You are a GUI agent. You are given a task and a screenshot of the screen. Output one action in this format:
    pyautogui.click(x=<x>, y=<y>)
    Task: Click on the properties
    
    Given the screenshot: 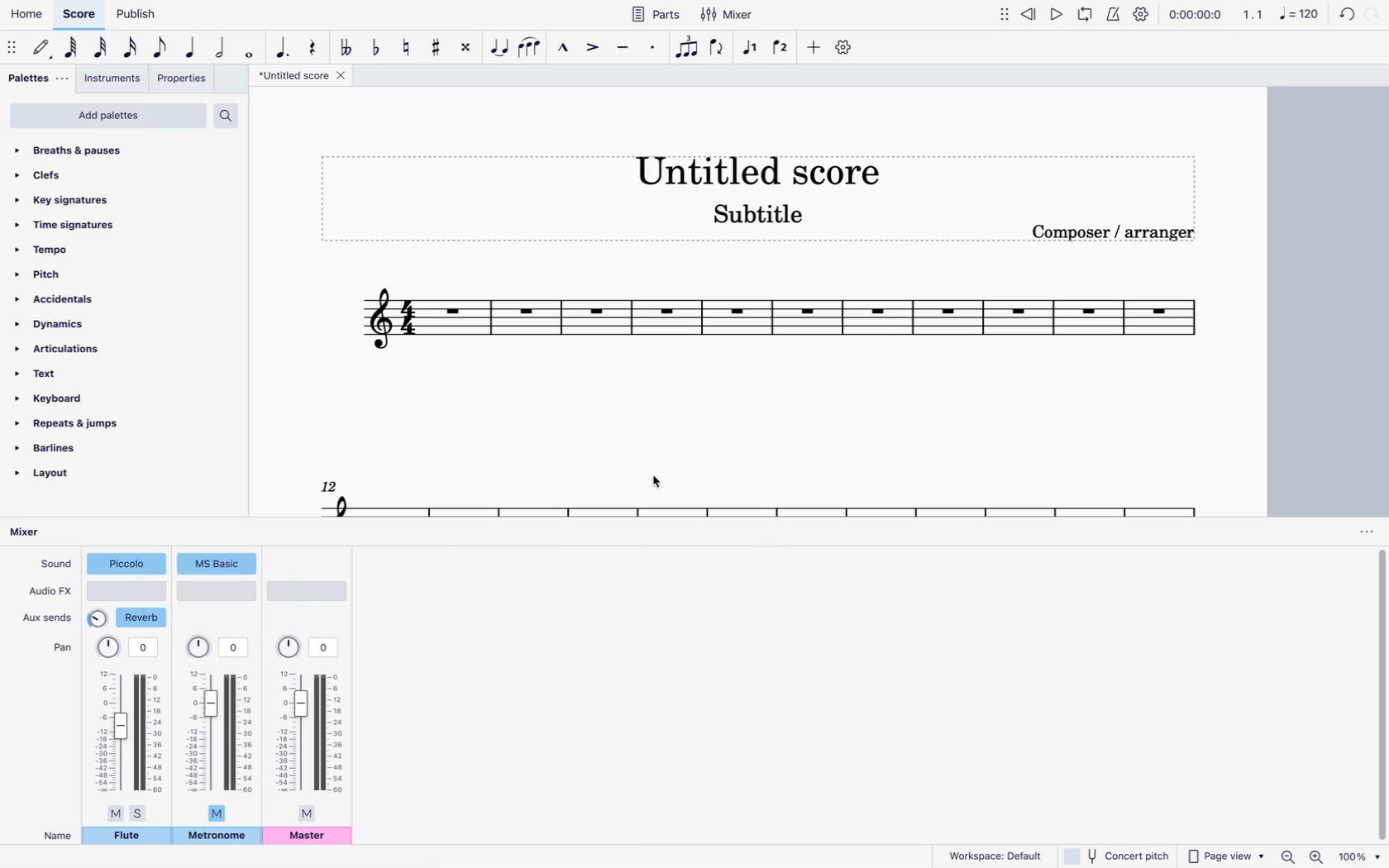 What is the action you would take?
    pyautogui.click(x=184, y=80)
    